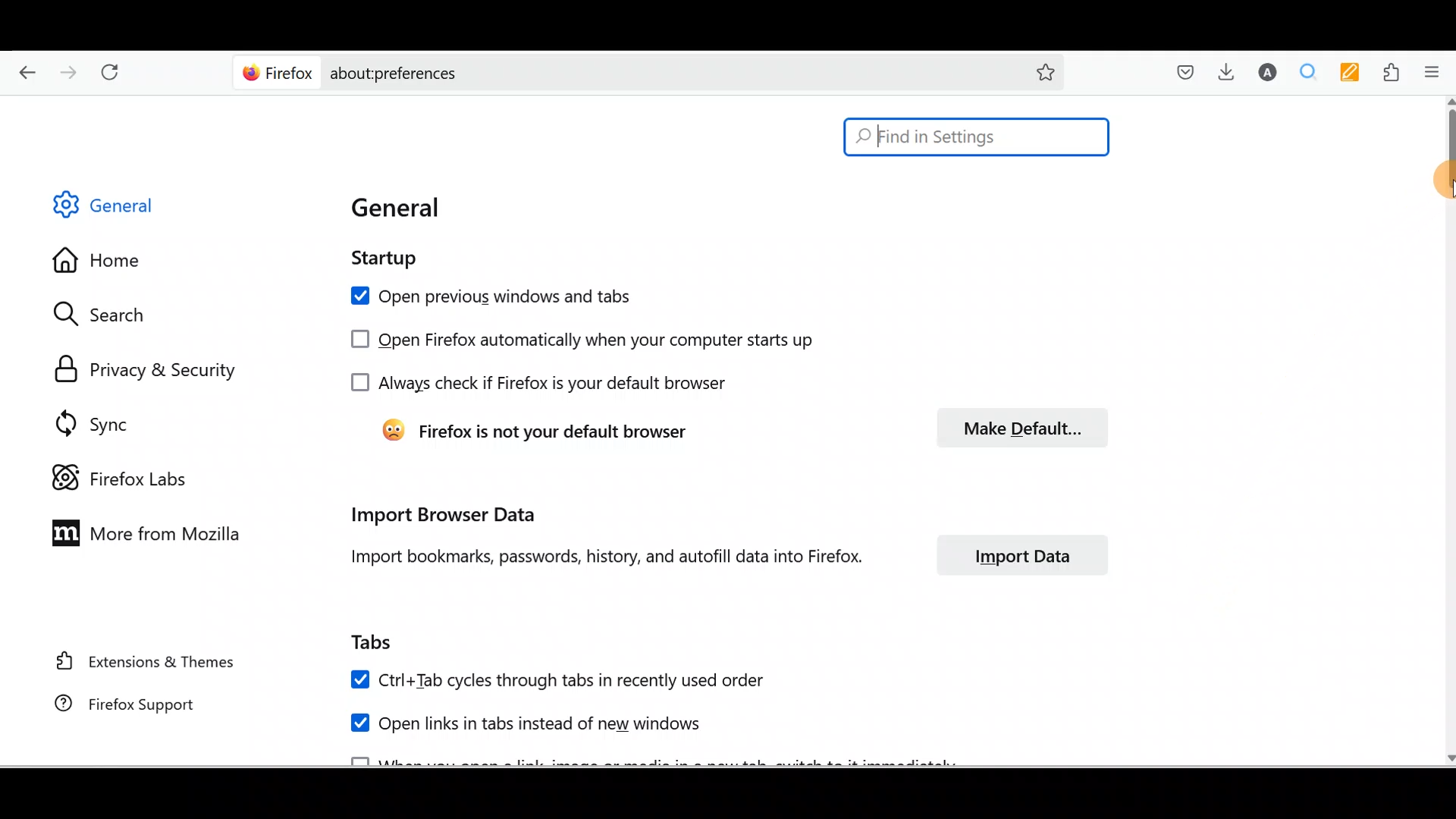  I want to click on More from Mozilla, so click(142, 532).